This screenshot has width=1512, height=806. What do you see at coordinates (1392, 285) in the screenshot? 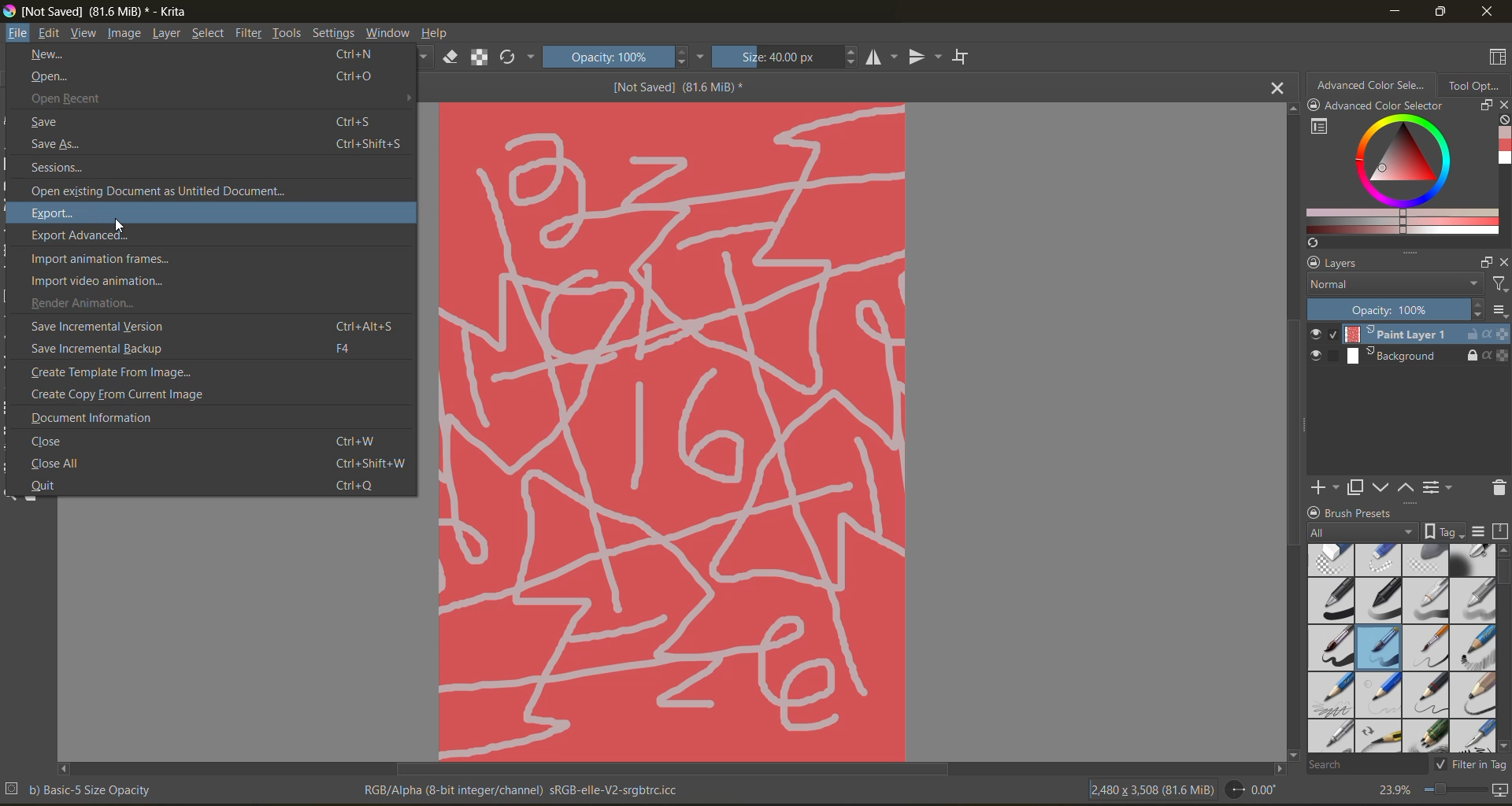
I see `normal` at bounding box center [1392, 285].